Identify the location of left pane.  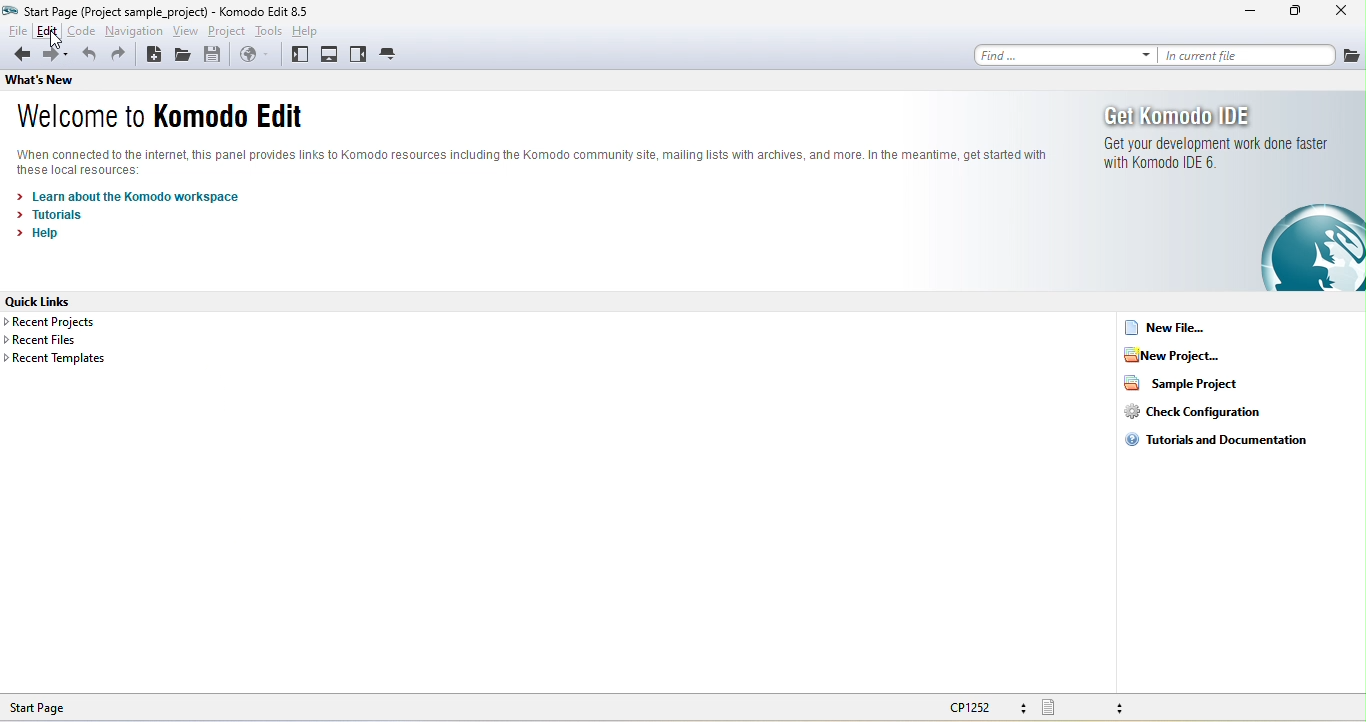
(300, 56).